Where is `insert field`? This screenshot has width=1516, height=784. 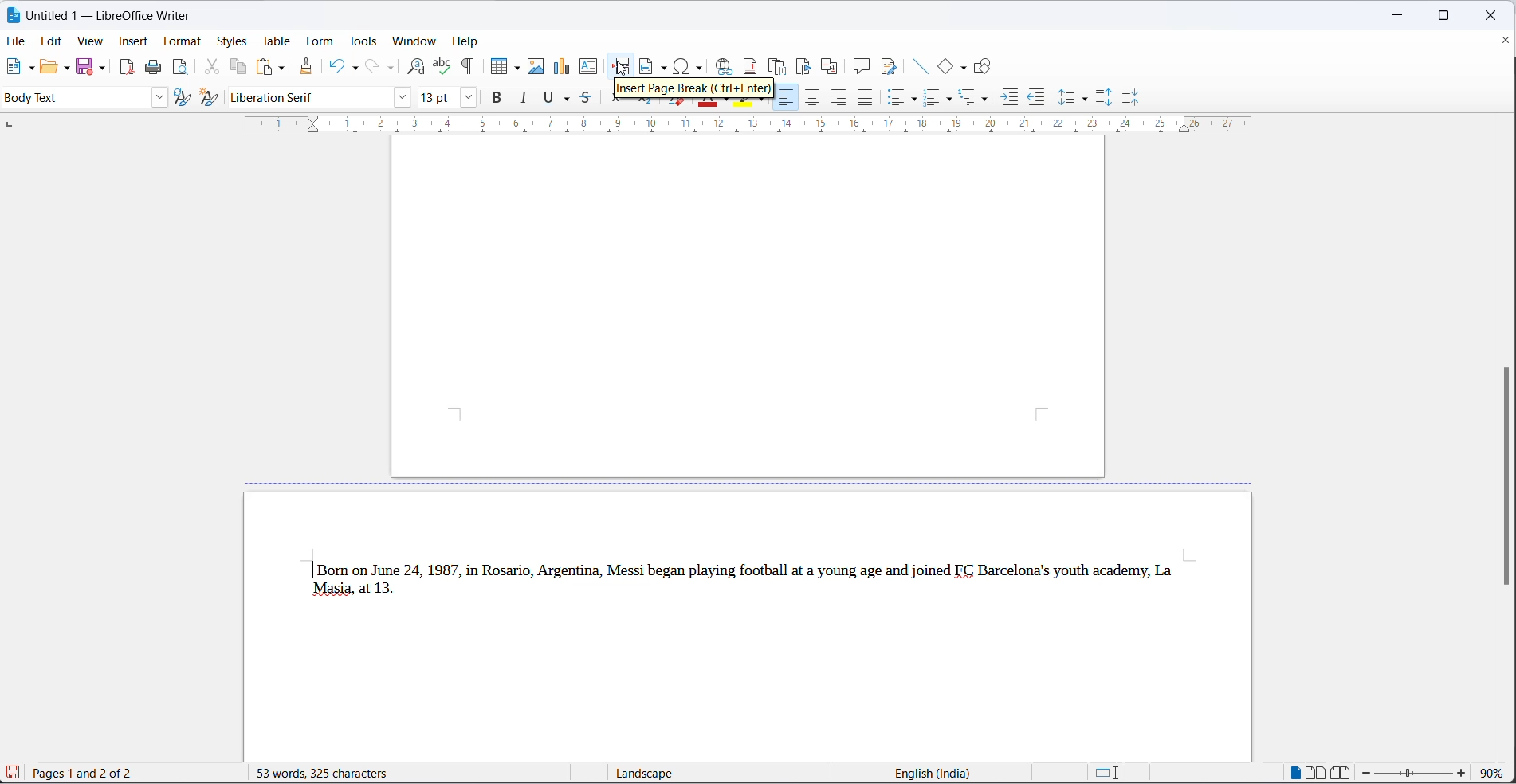
insert field is located at coordinates (654, 68).